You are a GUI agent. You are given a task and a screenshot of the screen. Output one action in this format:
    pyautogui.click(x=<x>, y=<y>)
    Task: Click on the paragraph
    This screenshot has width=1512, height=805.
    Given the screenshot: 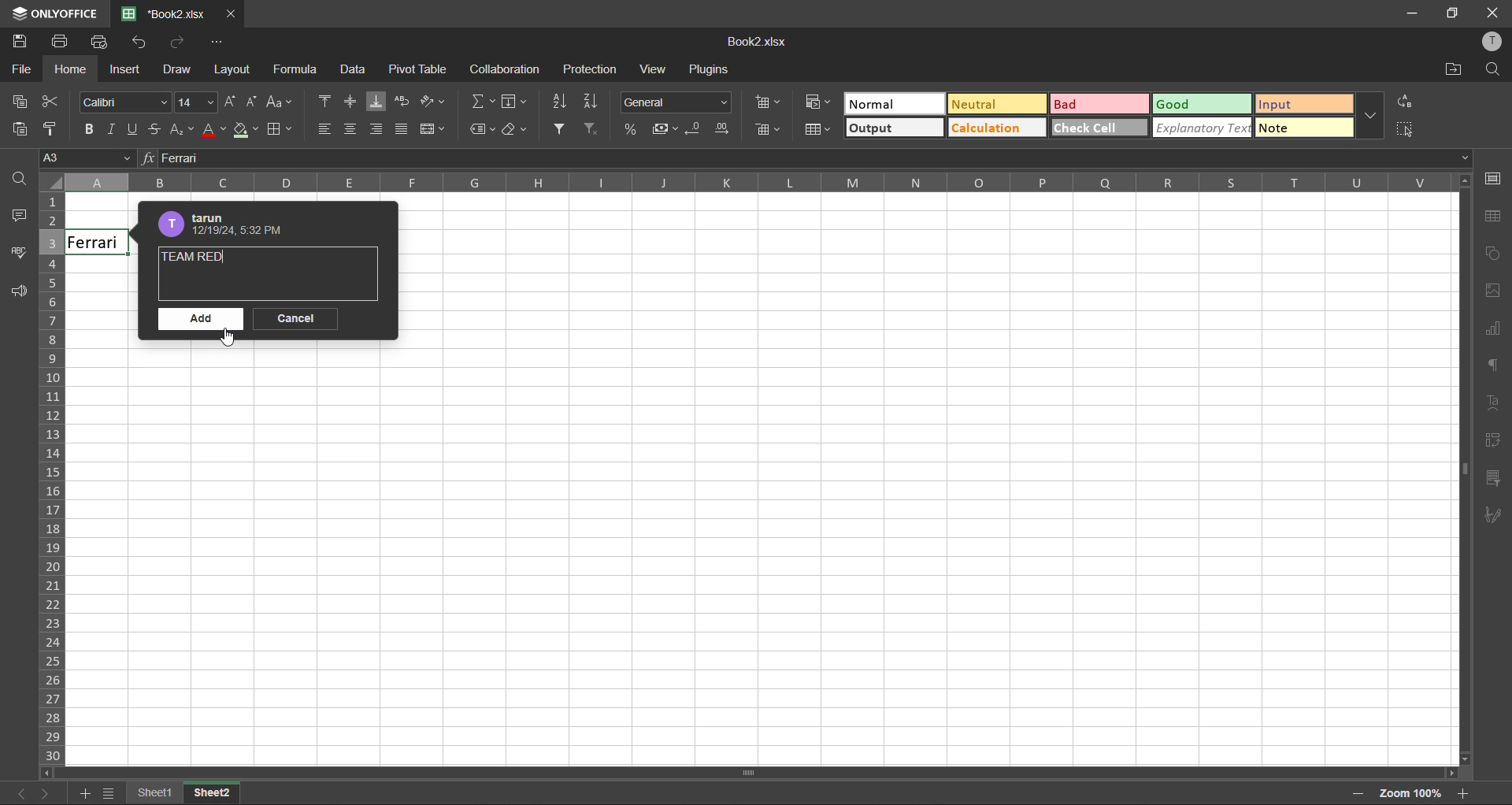 What is the action you would take?
    pyautogui.click(x=1497, y=367)
    